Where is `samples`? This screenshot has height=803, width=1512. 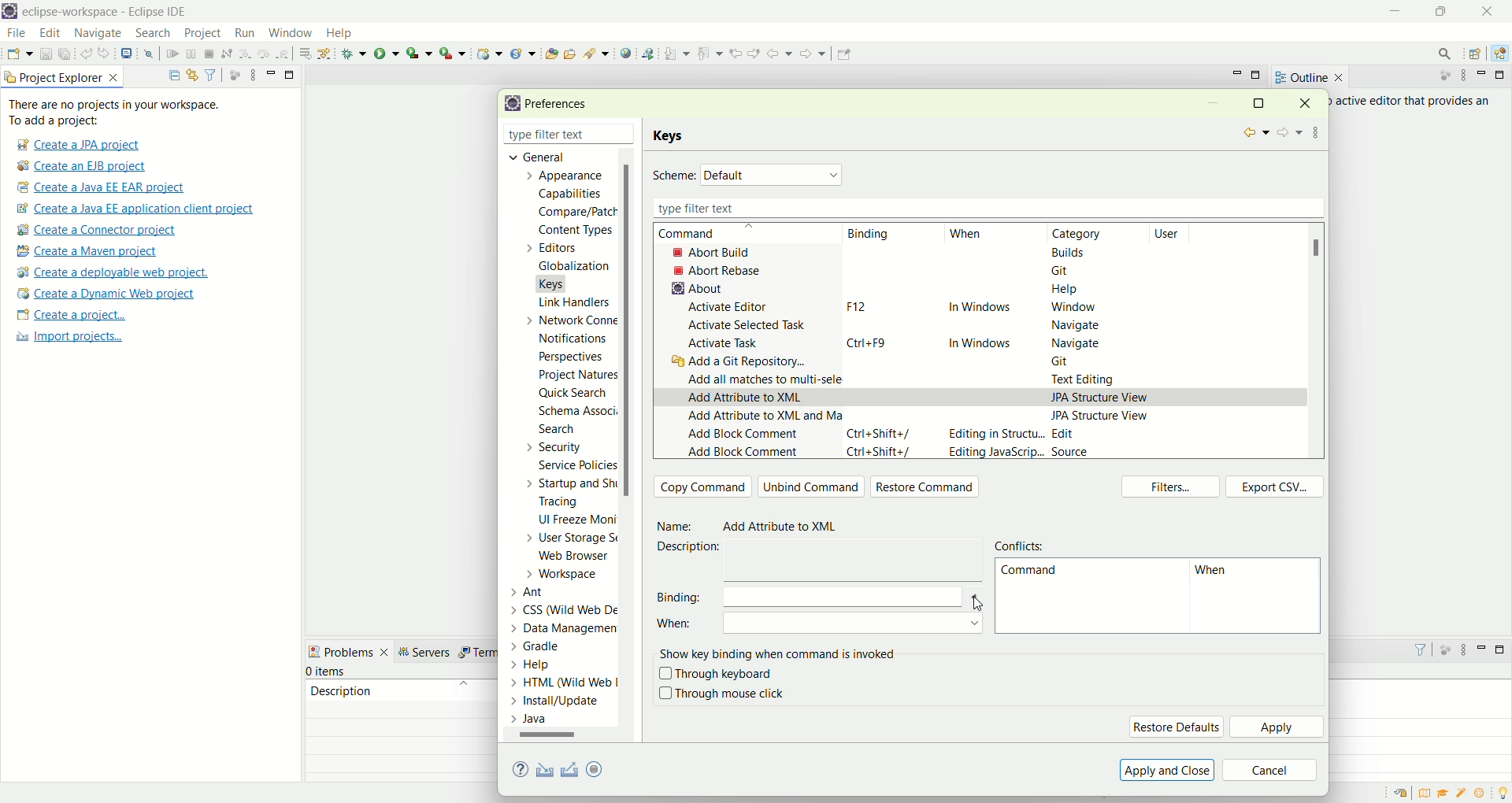
samples is located at coordinates (1463, 793).